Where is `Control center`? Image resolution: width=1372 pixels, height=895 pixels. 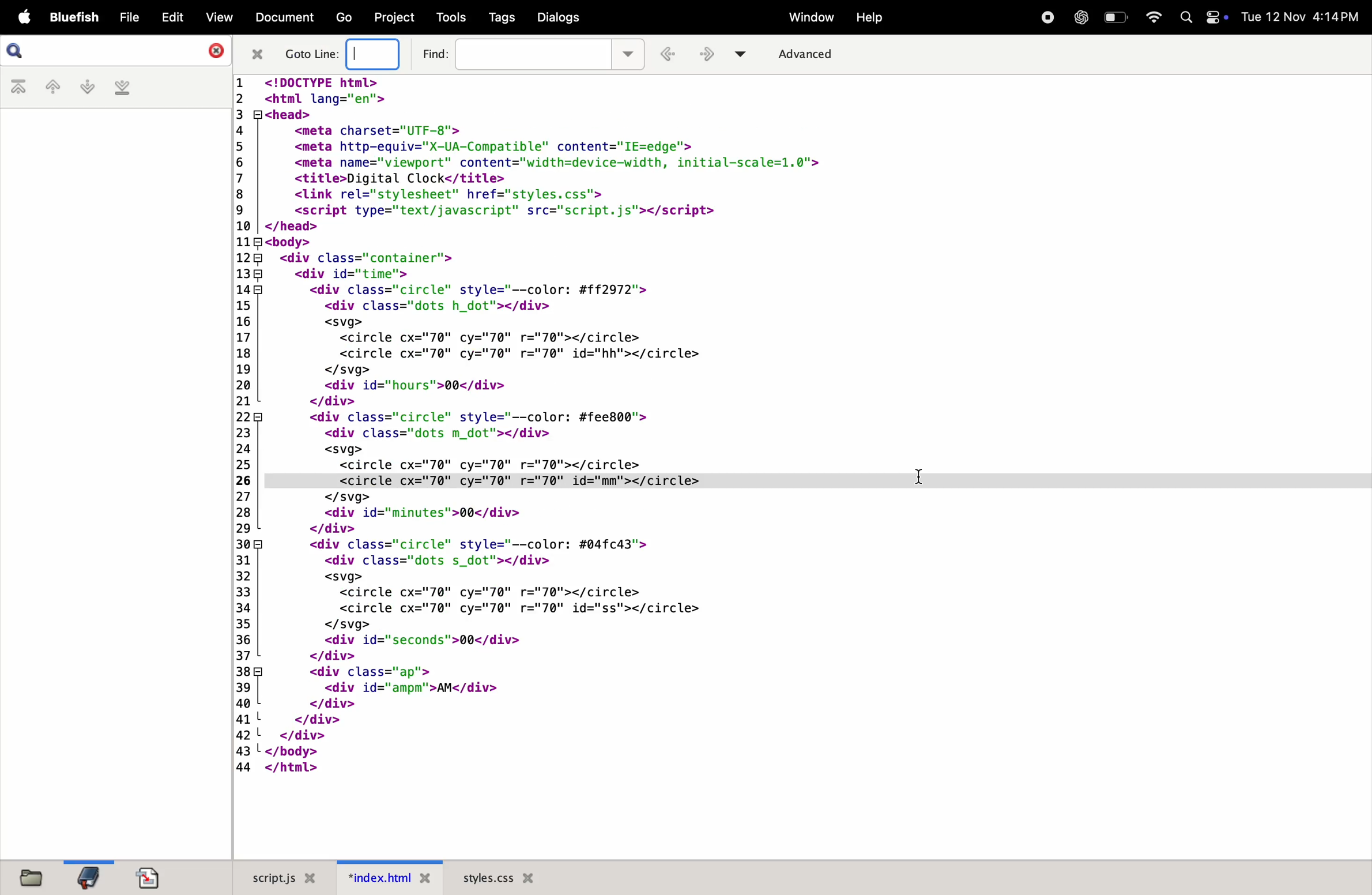 Control center is located at coordinates (1218, 19).